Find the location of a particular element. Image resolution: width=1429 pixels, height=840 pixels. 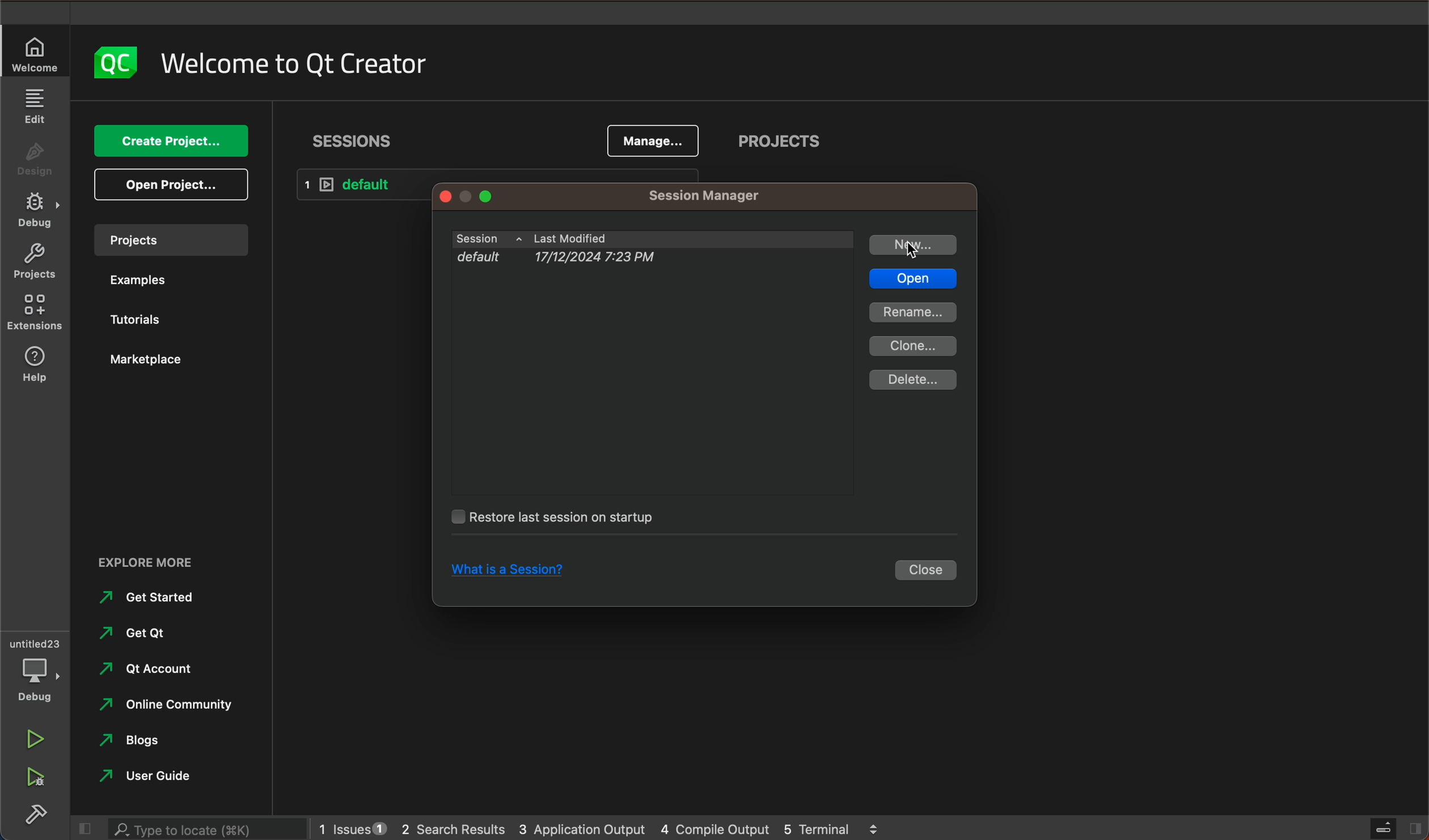

design is located at coordinates (36, 163).